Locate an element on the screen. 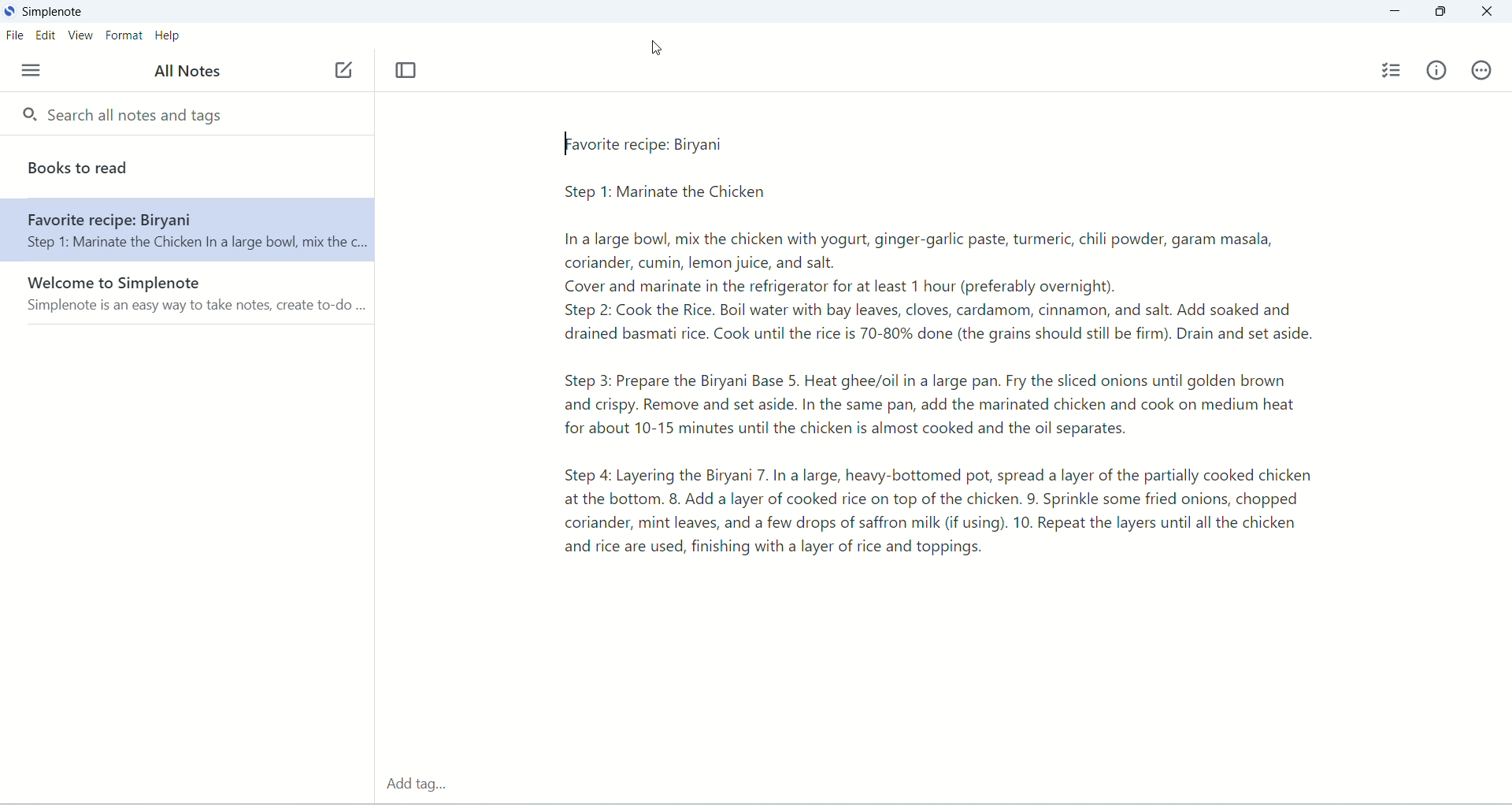  actions is located at coordinates (1481, 70).